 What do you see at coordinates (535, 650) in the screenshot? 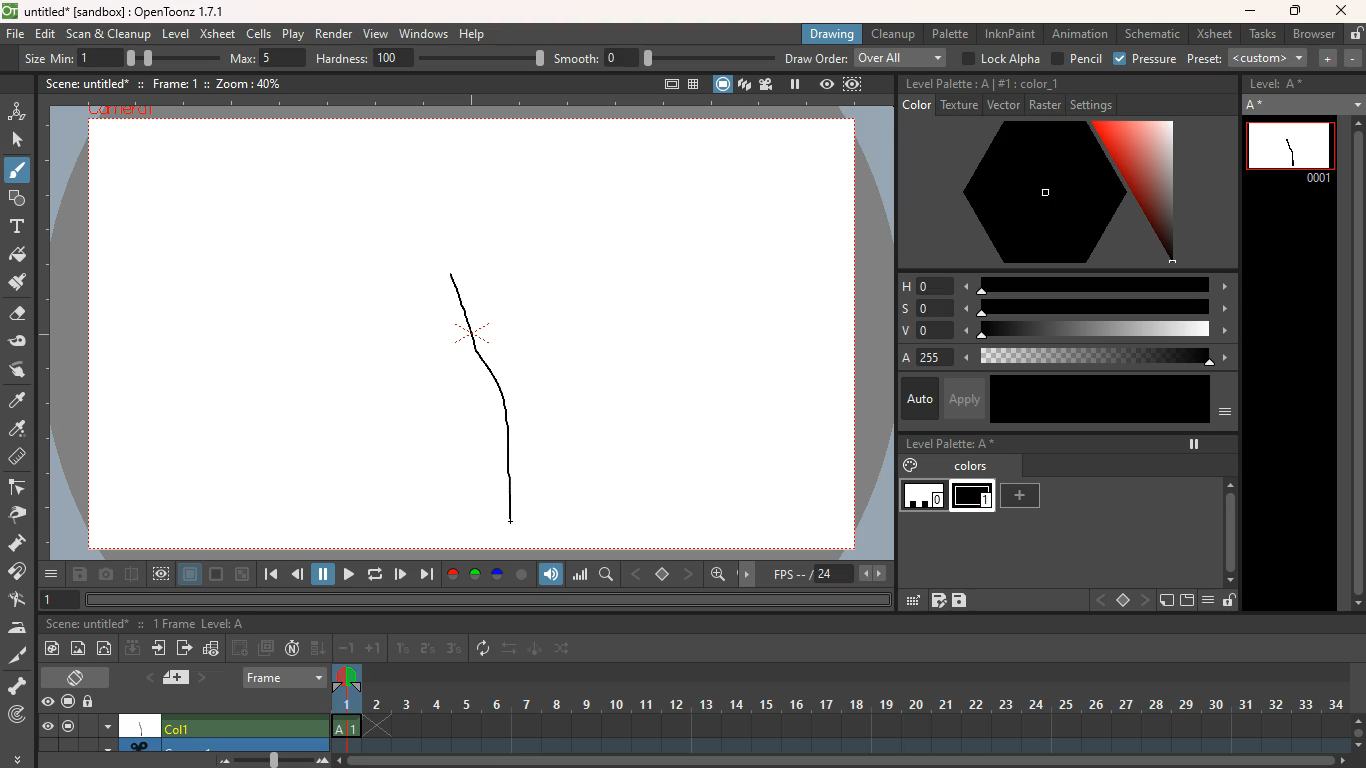
I see `animate` at bounding box center [535, 650].